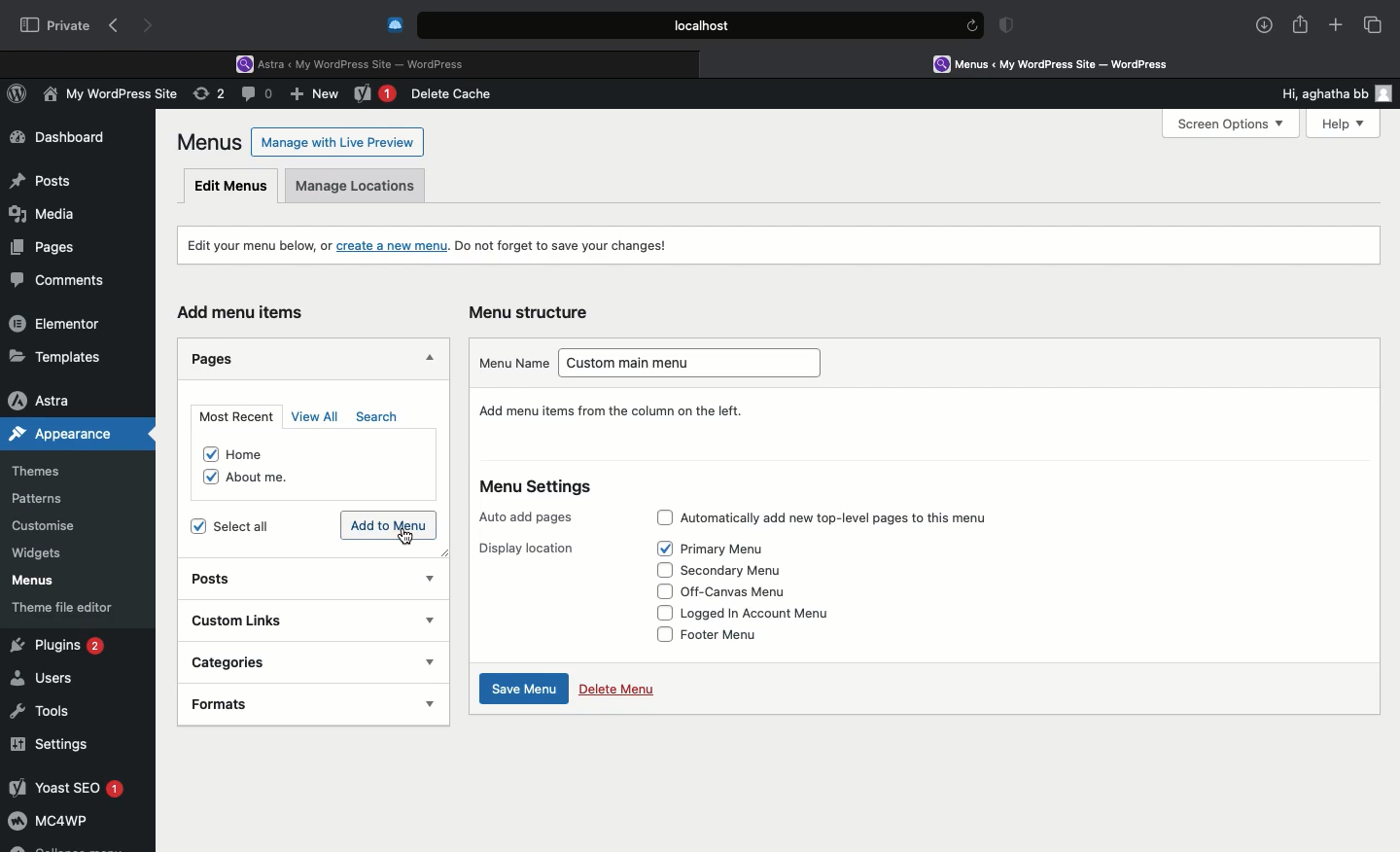  I want to click on Logged in account menu, so click(767, 616).